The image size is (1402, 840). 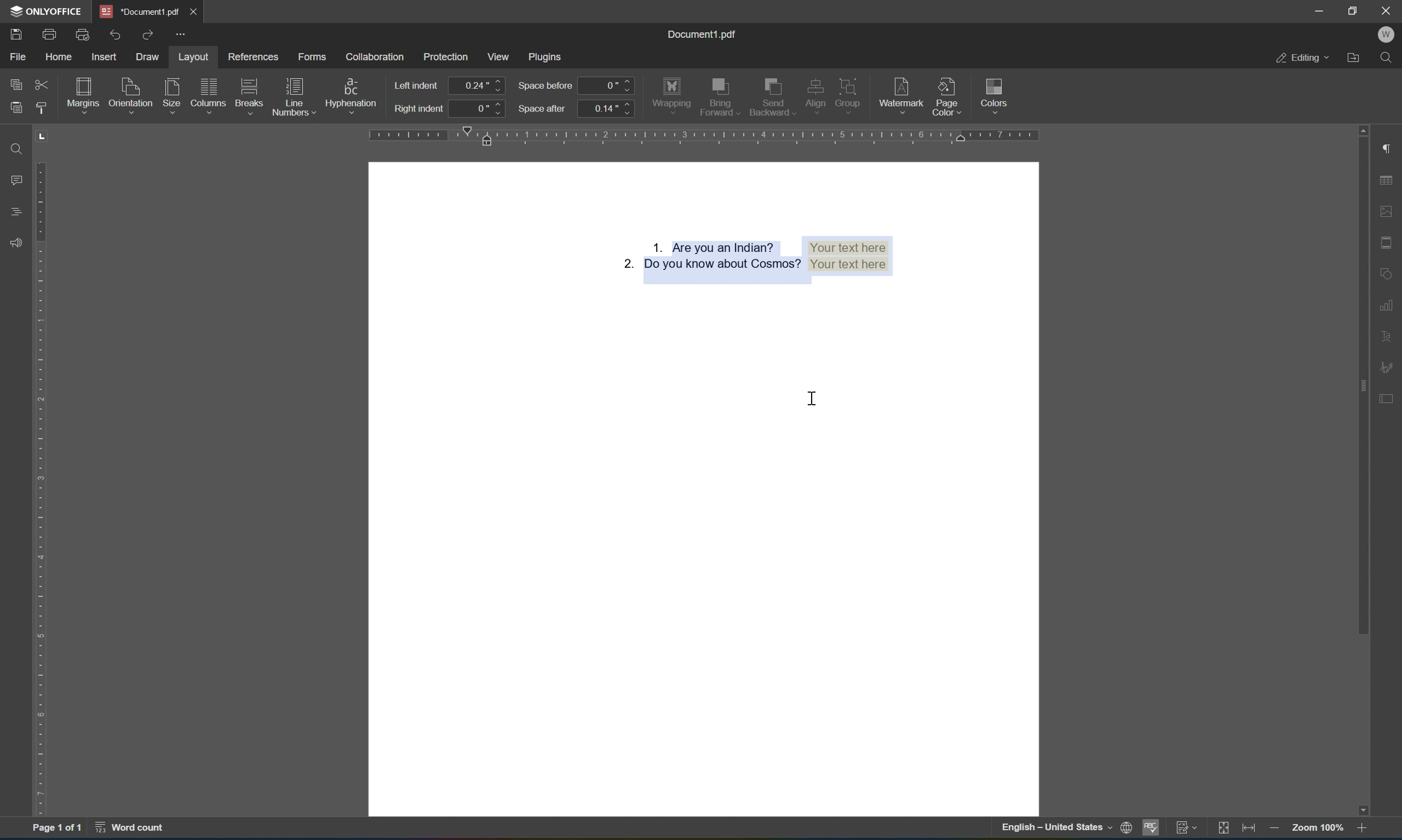 What do you see at coordinates (18, 57) in the screenshot?
I see `file` at bounding box center [18, 57].